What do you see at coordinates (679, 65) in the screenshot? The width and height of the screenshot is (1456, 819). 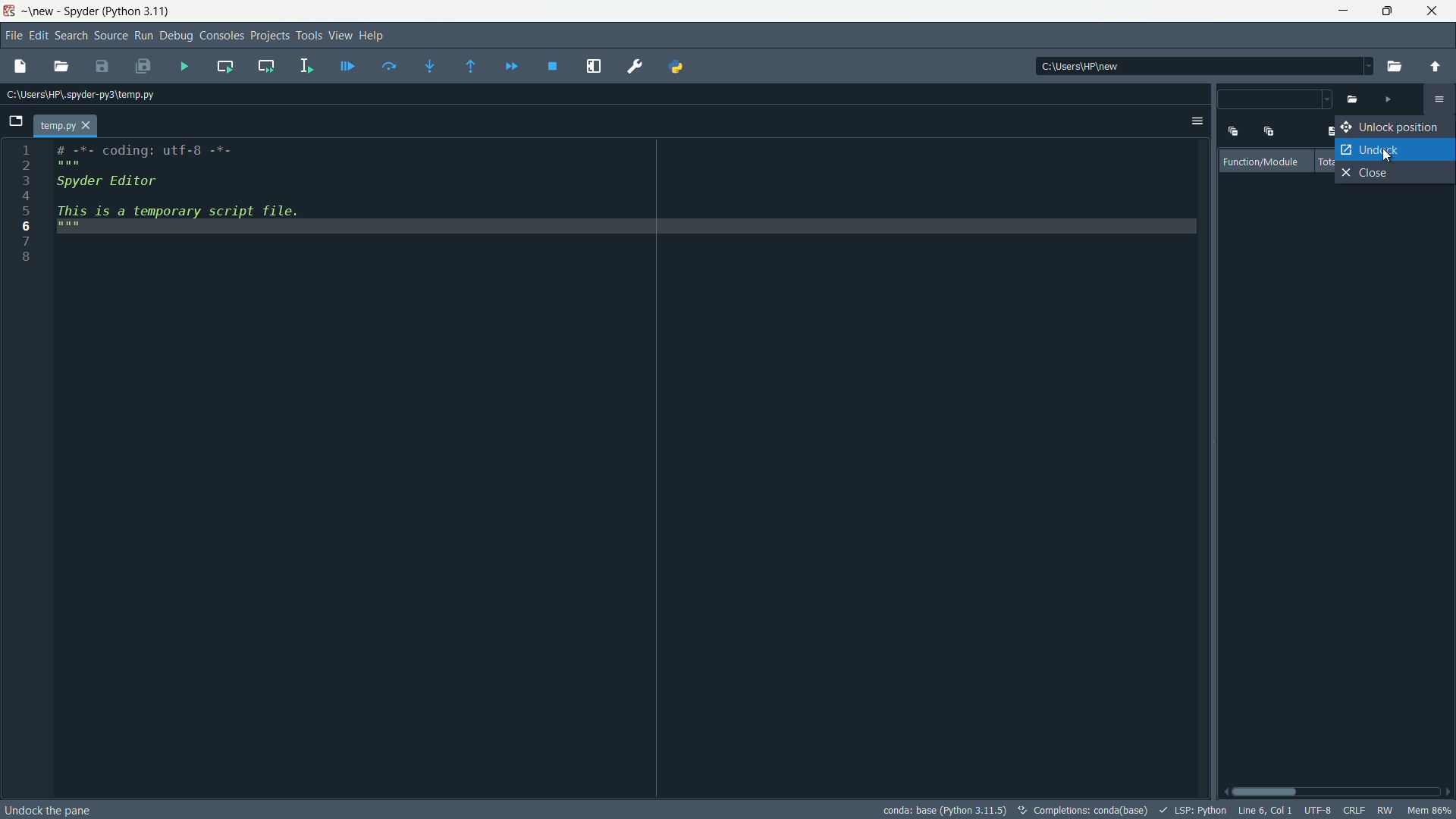 I see `python path manager` at bounding box center [679, 65].